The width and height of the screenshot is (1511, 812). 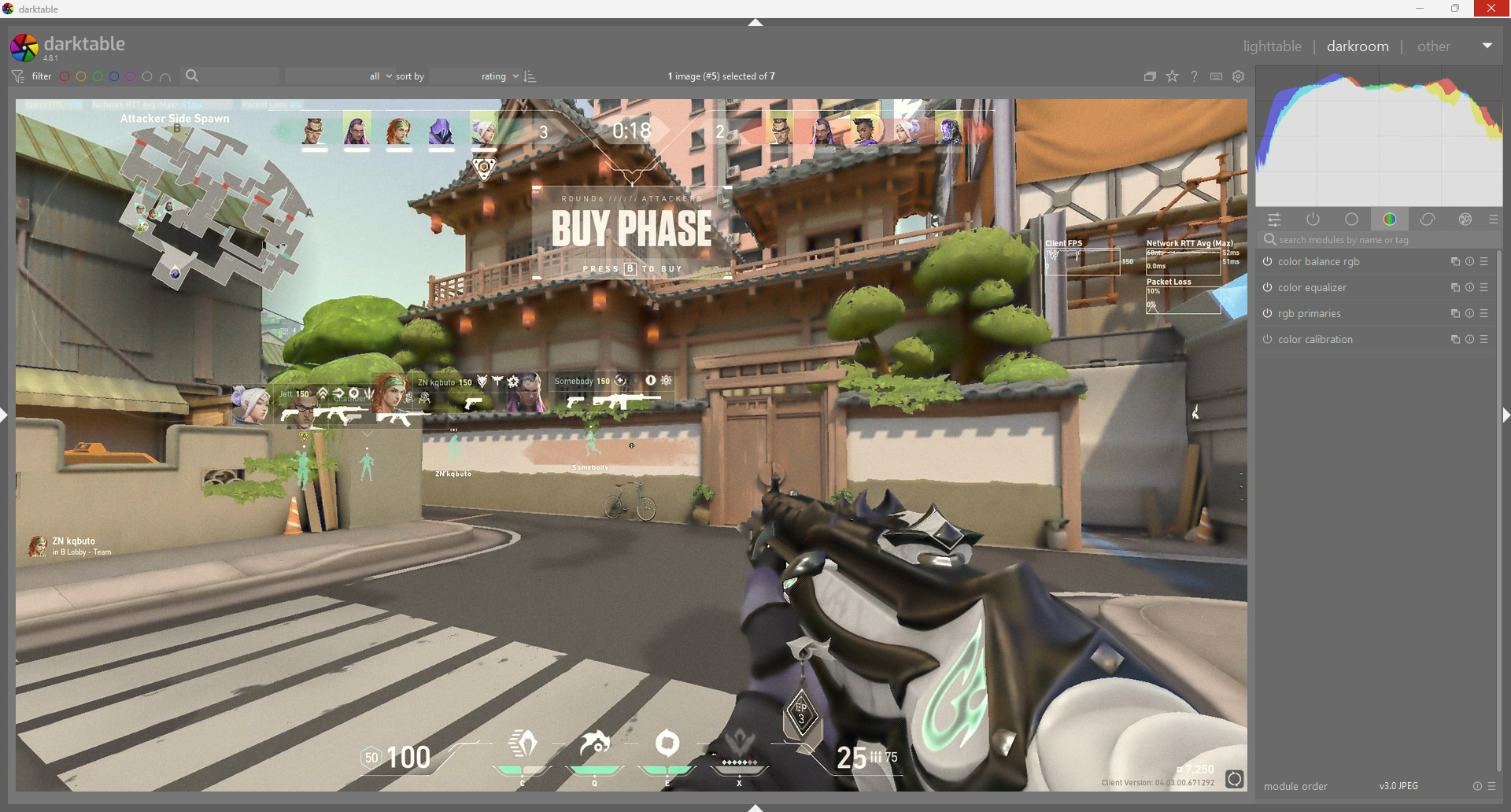 What do you see at coordinates (35, 9) in the screenshot?
I see `darktable` at bounding box center [35, 9].